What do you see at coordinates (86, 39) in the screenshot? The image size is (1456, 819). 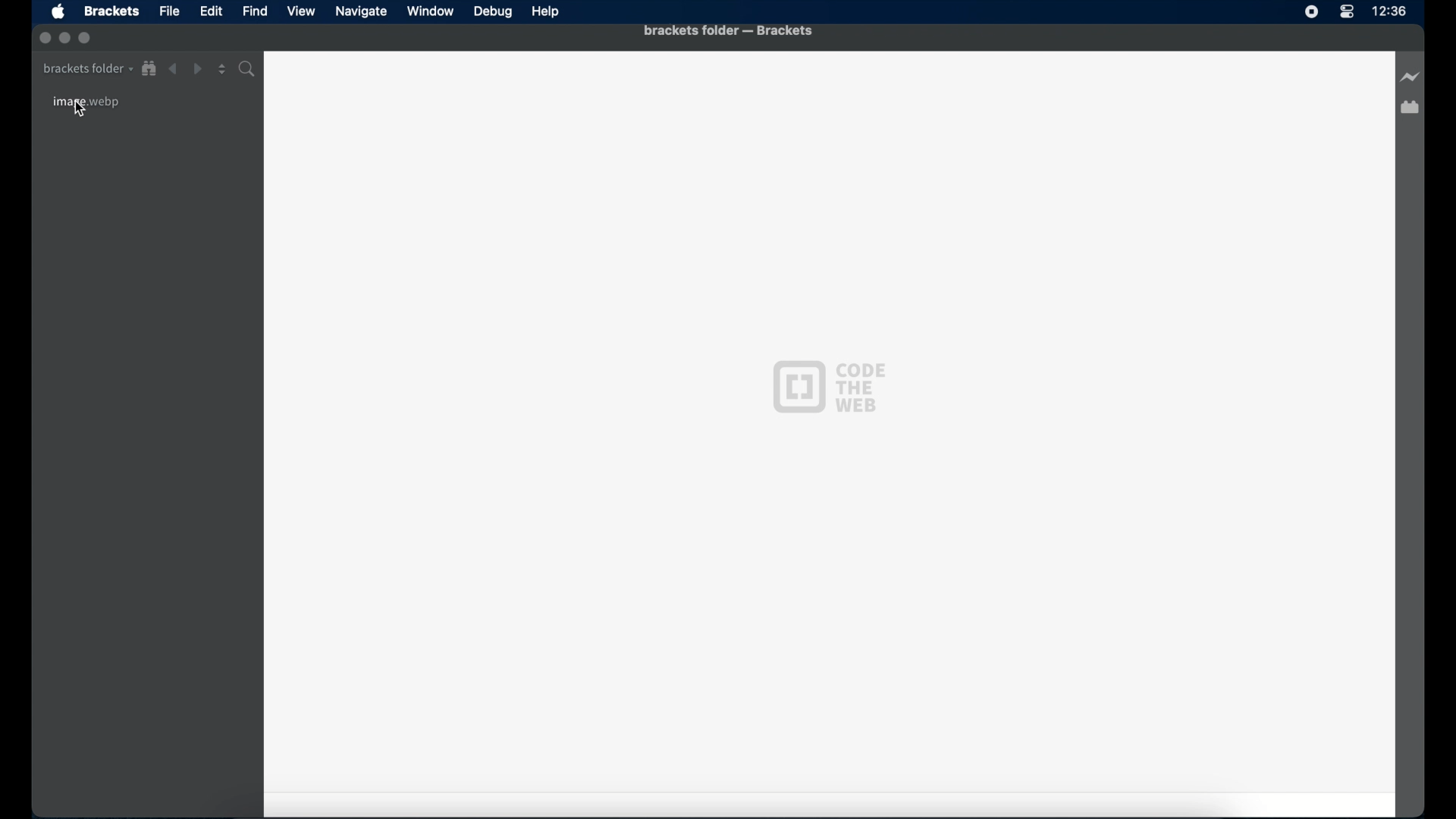 I see `inactive maximize button` at bounding box center [86, 39].